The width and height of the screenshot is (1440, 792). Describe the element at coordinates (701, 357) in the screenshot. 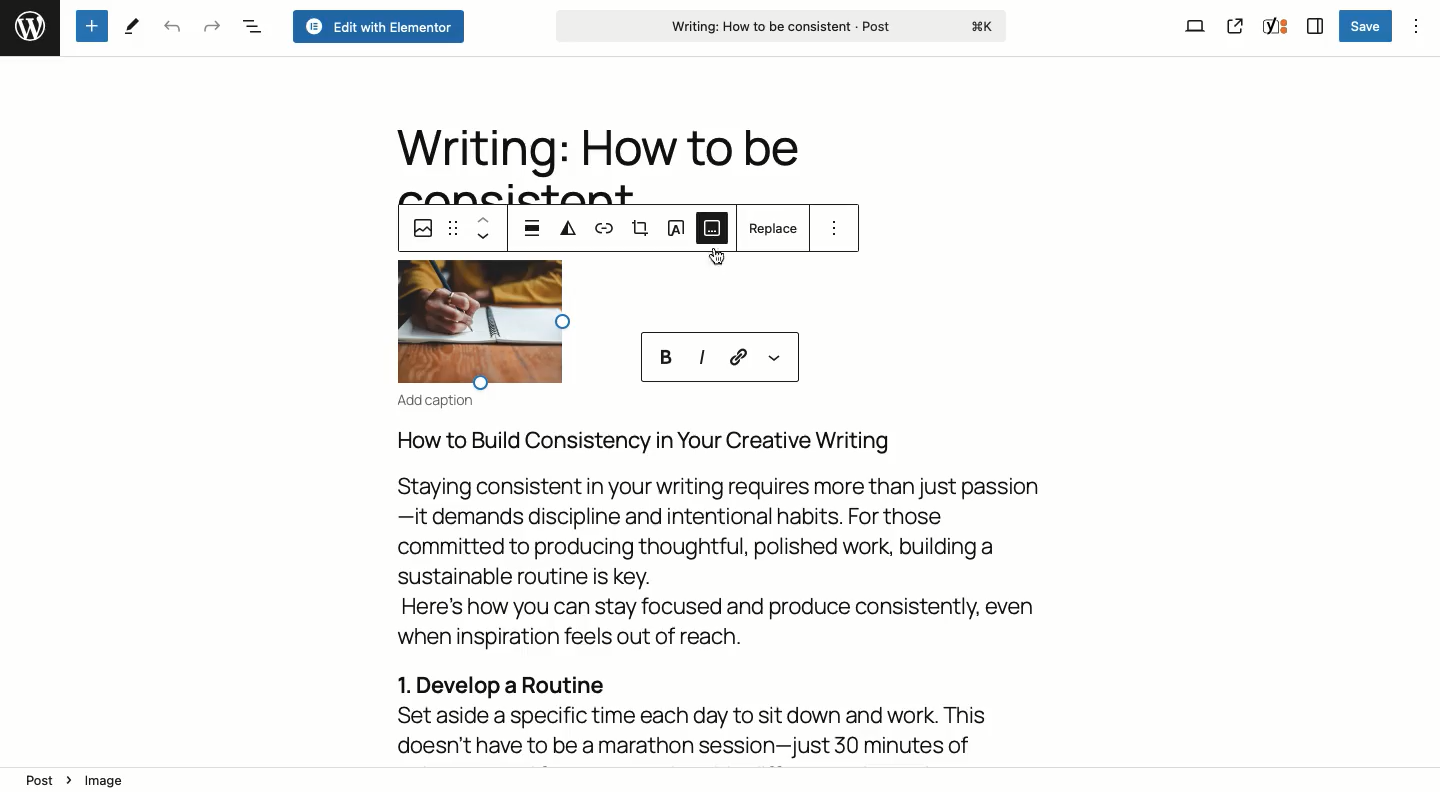

I see `Italics` at that location.